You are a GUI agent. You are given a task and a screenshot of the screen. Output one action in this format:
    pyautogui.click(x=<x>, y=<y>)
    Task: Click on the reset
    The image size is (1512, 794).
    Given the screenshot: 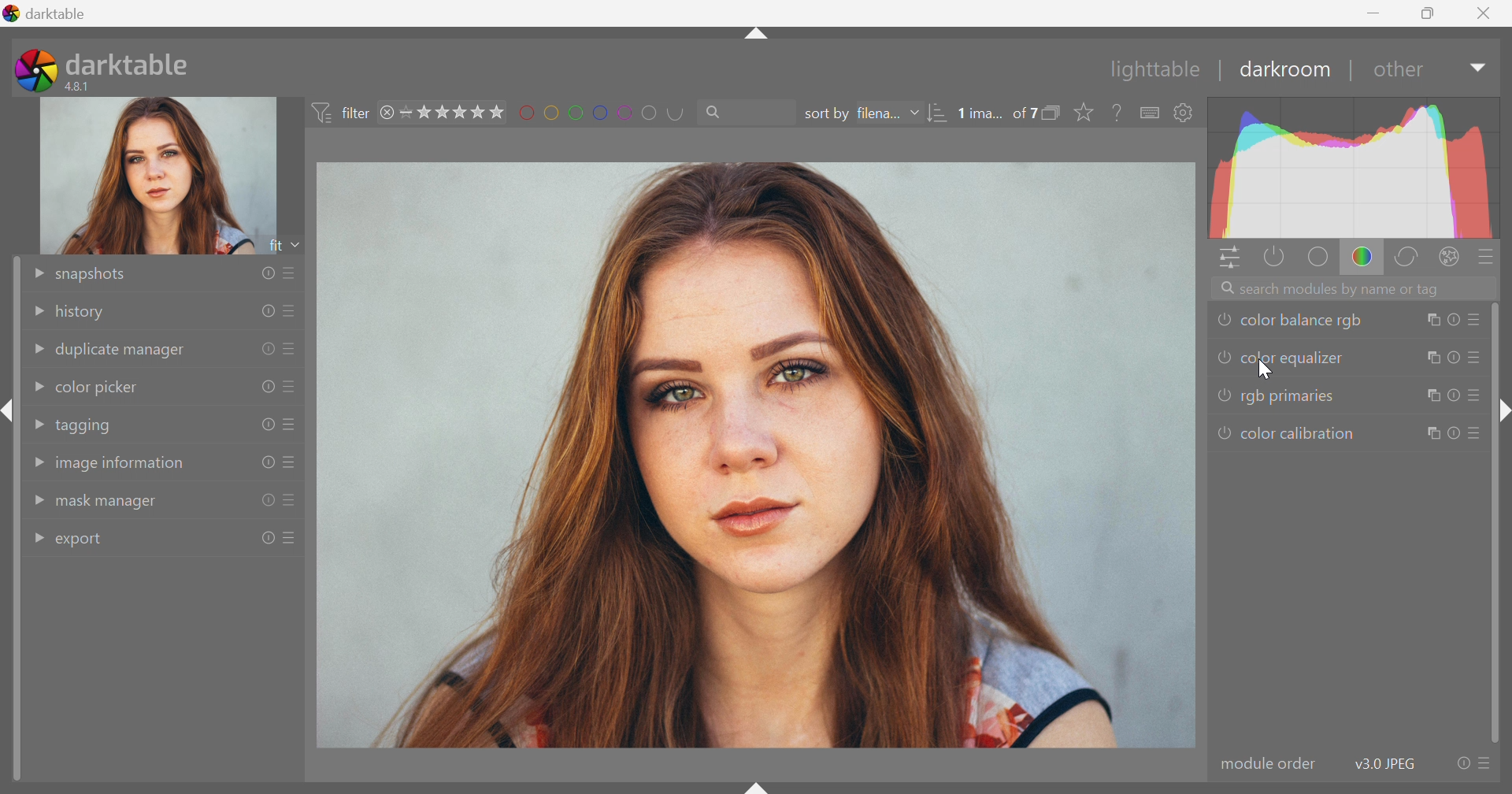 What is the action you would take?
    pyautogui.click(x=1458, y=765)
    